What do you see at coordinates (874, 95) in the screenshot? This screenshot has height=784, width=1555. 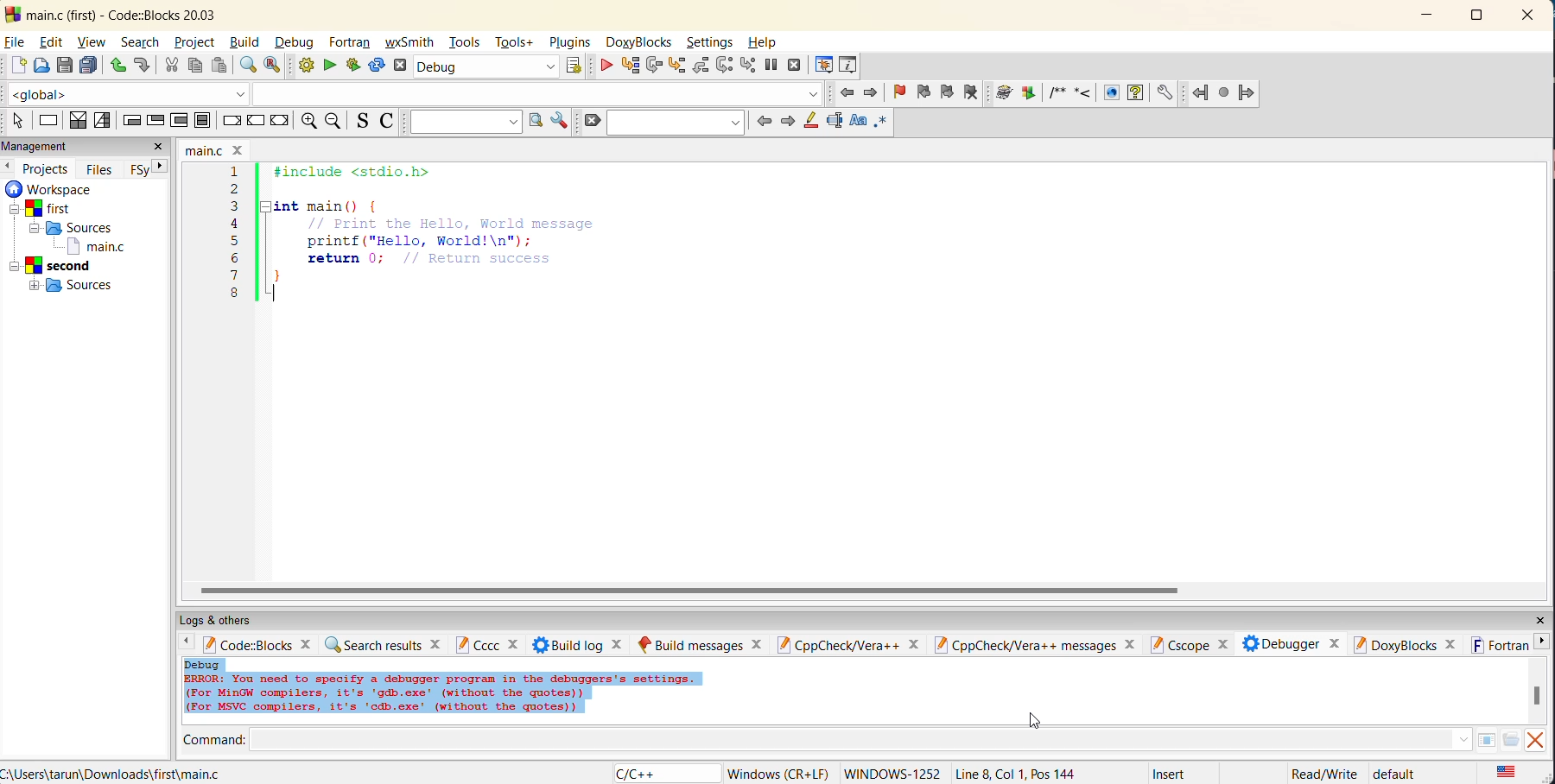 I see `jump forward` at bounding box center [874, 95].